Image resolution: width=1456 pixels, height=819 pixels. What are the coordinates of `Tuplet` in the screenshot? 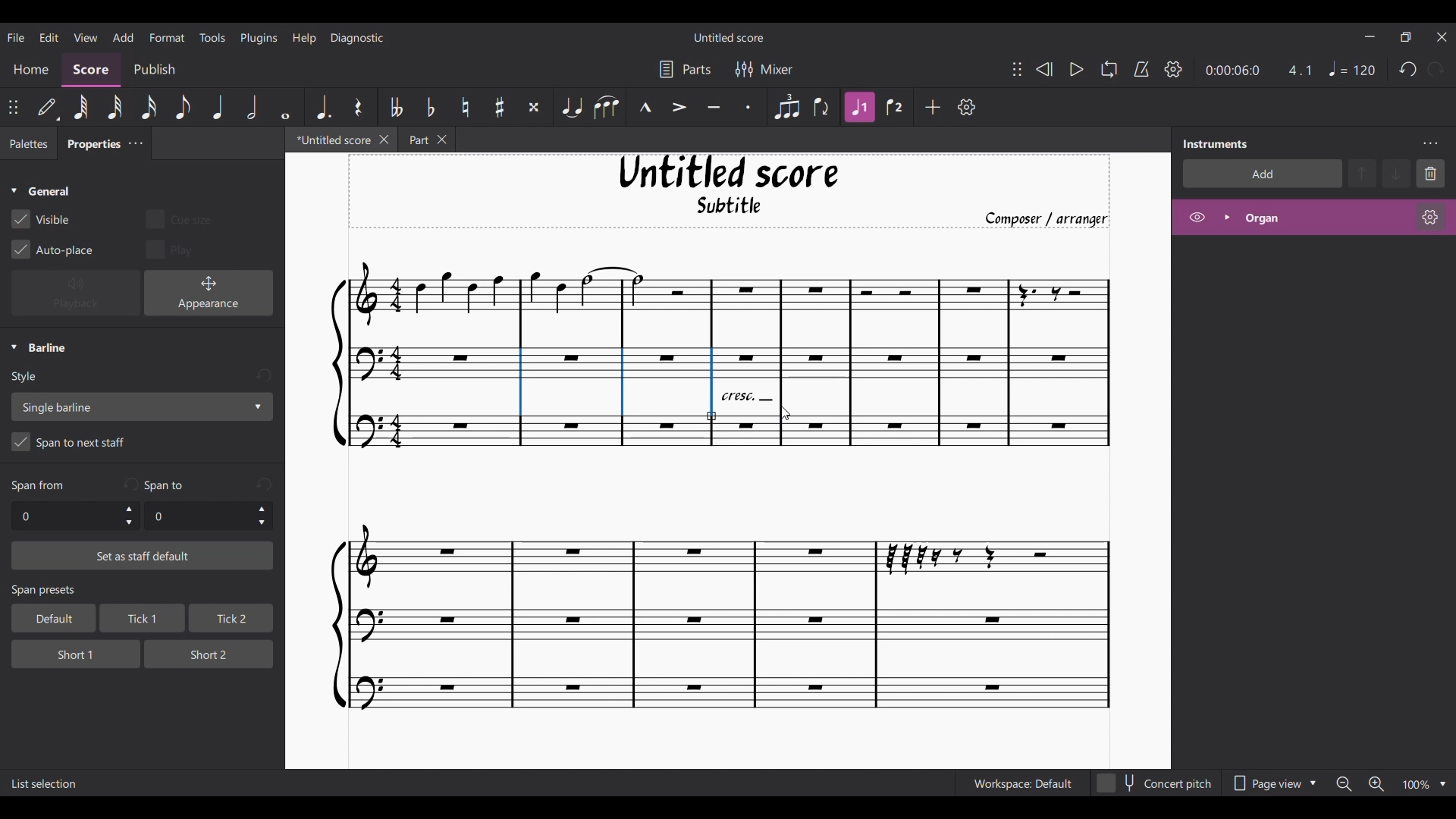 It's located at (786, 107).